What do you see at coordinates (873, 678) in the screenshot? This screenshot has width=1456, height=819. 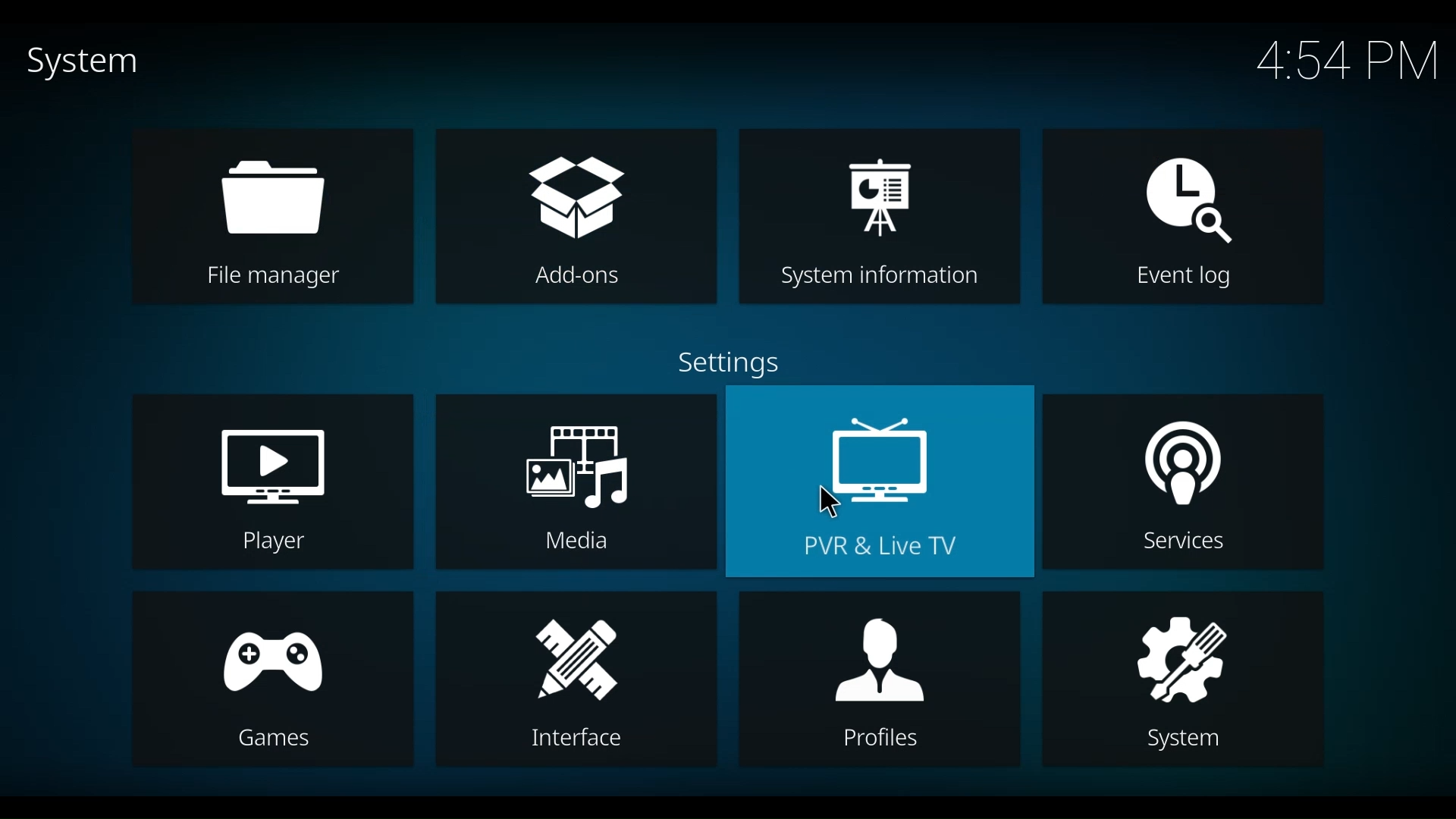 I see `Profiles` at bounding box center [873, 678].